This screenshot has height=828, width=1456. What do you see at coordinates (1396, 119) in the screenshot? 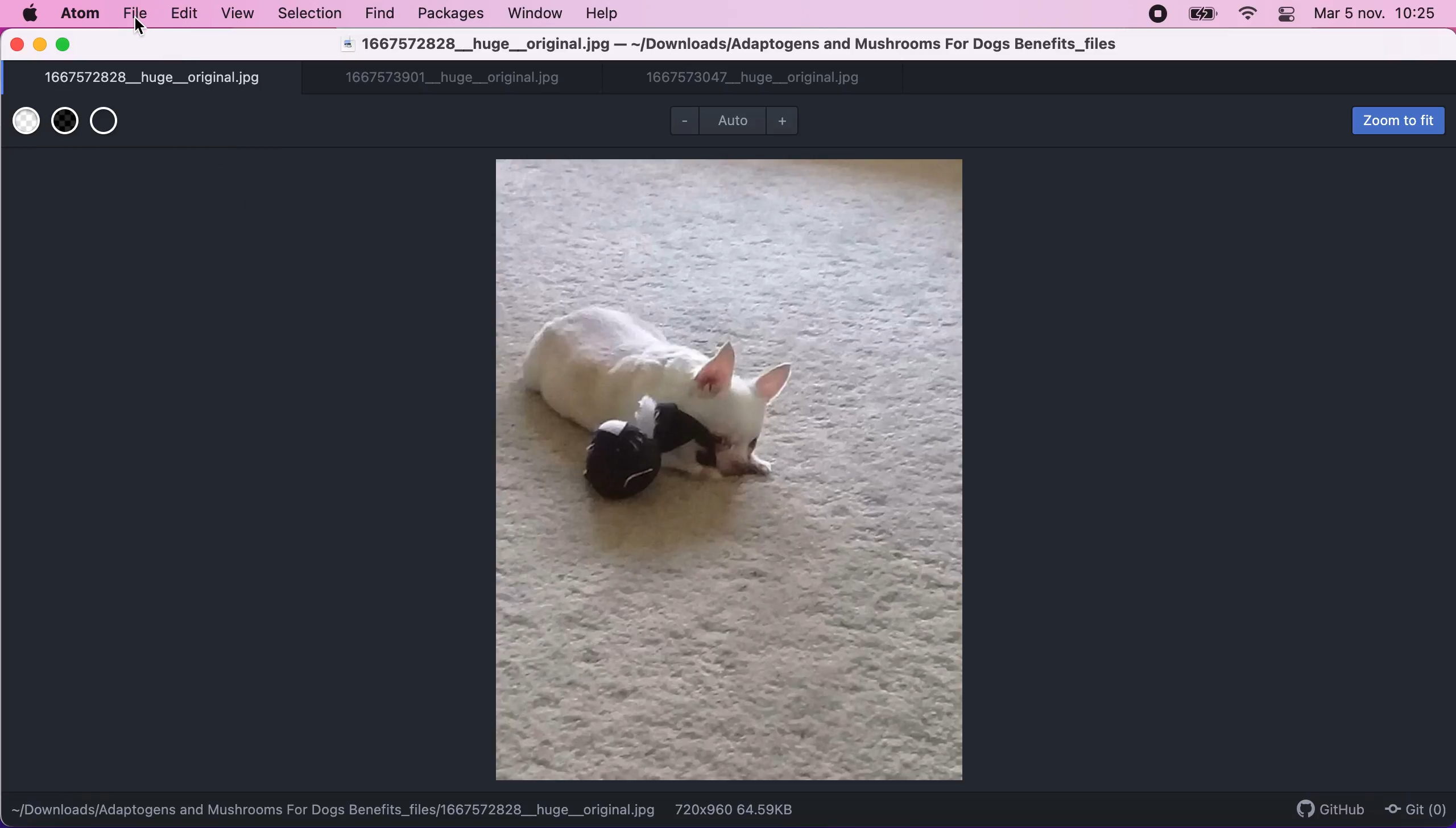
I see `zoom to fit` at bounding box center [1396, 119].